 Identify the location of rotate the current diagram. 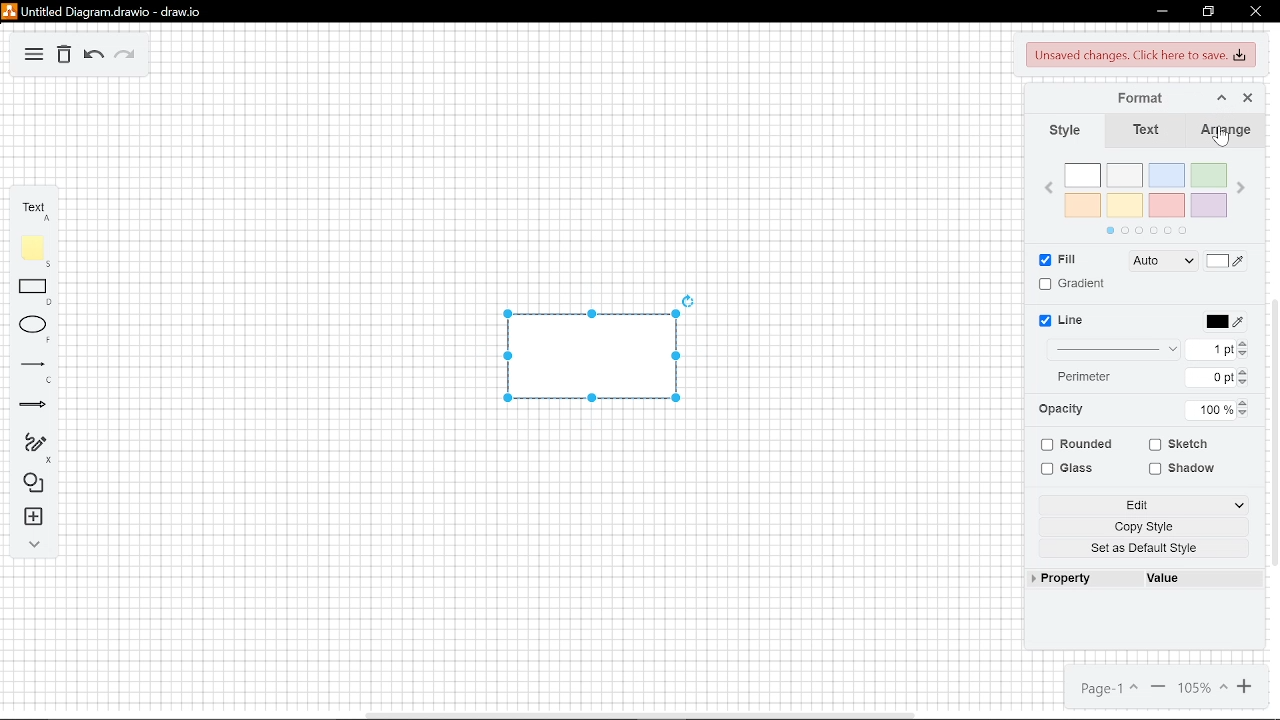
(689, 300).